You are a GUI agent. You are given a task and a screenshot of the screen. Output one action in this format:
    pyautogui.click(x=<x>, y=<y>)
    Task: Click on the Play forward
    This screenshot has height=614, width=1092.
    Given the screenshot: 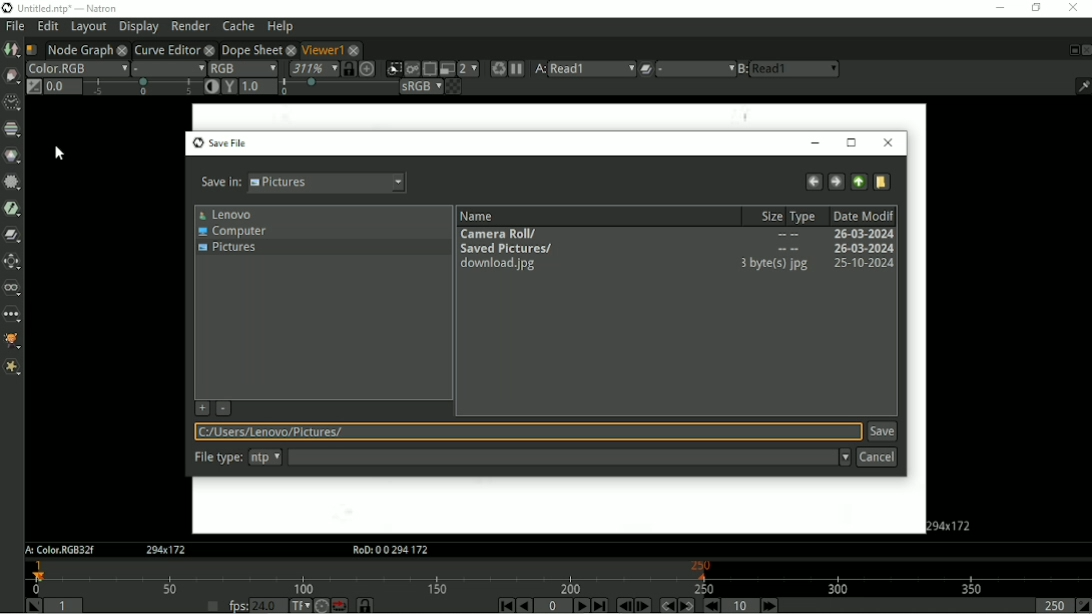 What is the action you would take?
    pyautogui.click(x=581, y=605)
    